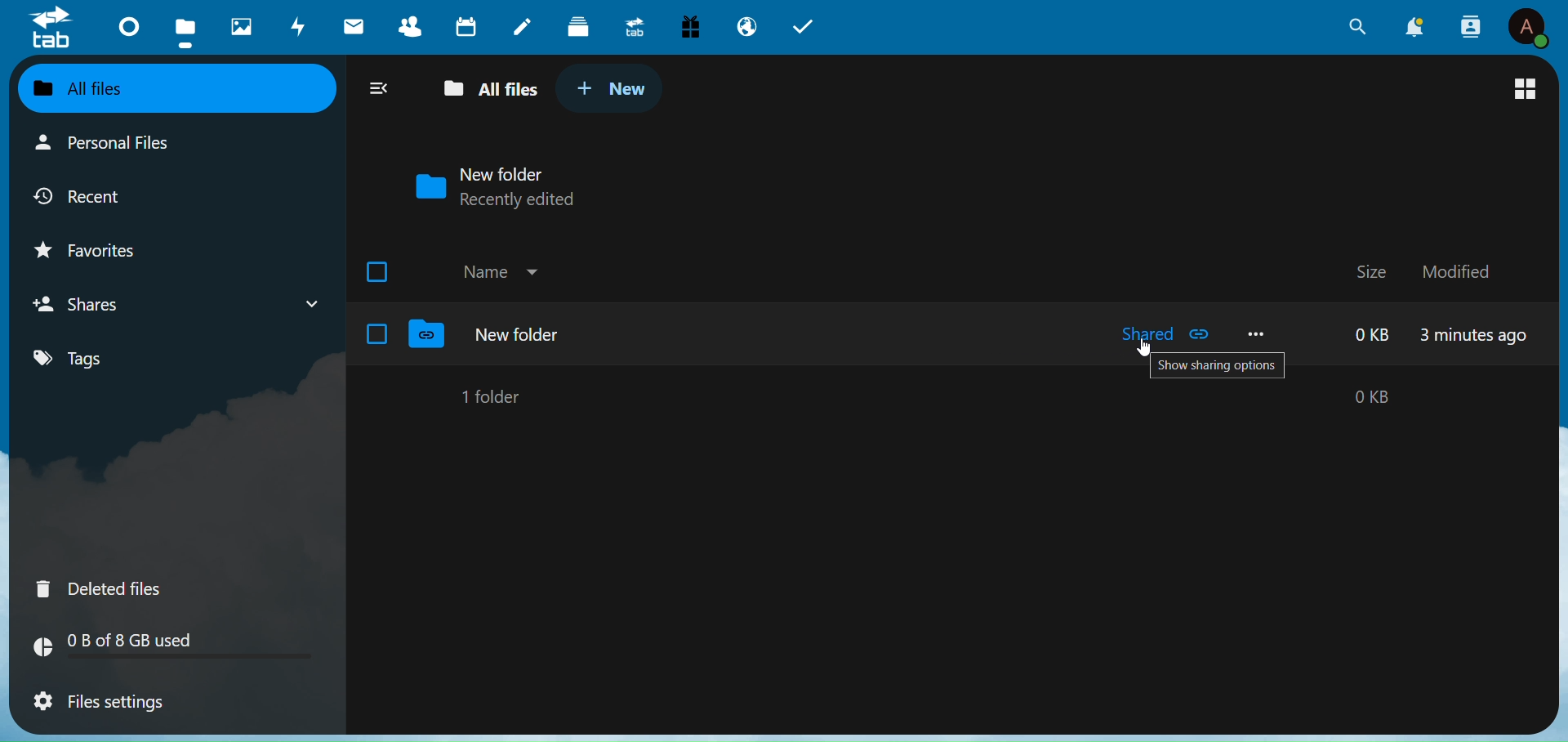 The height and width of the screenshot is (742, 1568). What do you see at coordinates (109, 586) in the screenshot?
I see `Deleted FIles` at bounding box center [109, 586].